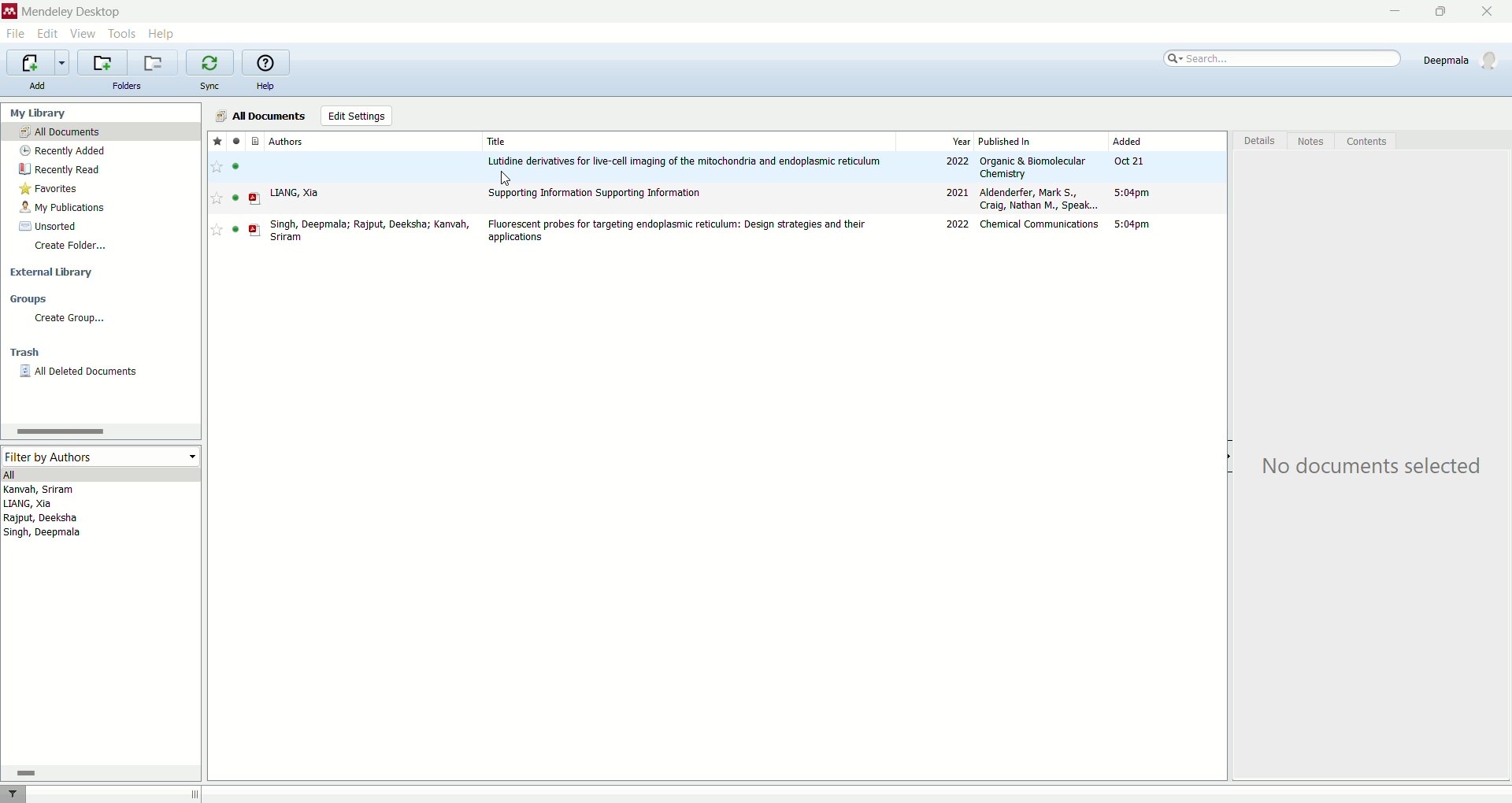  Describe the element at coordinates (1492, 11) in the screenshot. I see `close` at that location.